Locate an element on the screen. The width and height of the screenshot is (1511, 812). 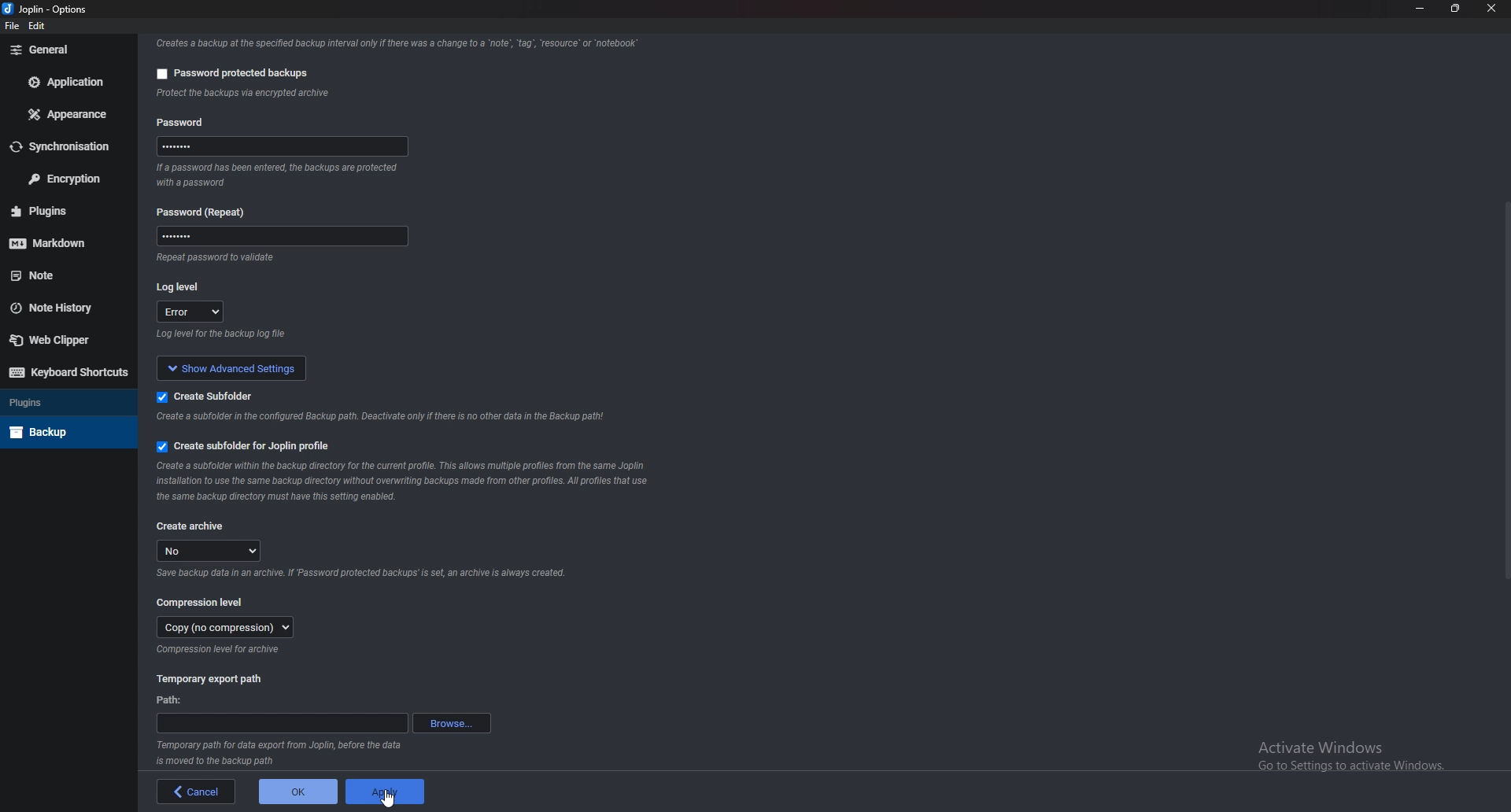
Plugins is located at coordinates (65, 403).